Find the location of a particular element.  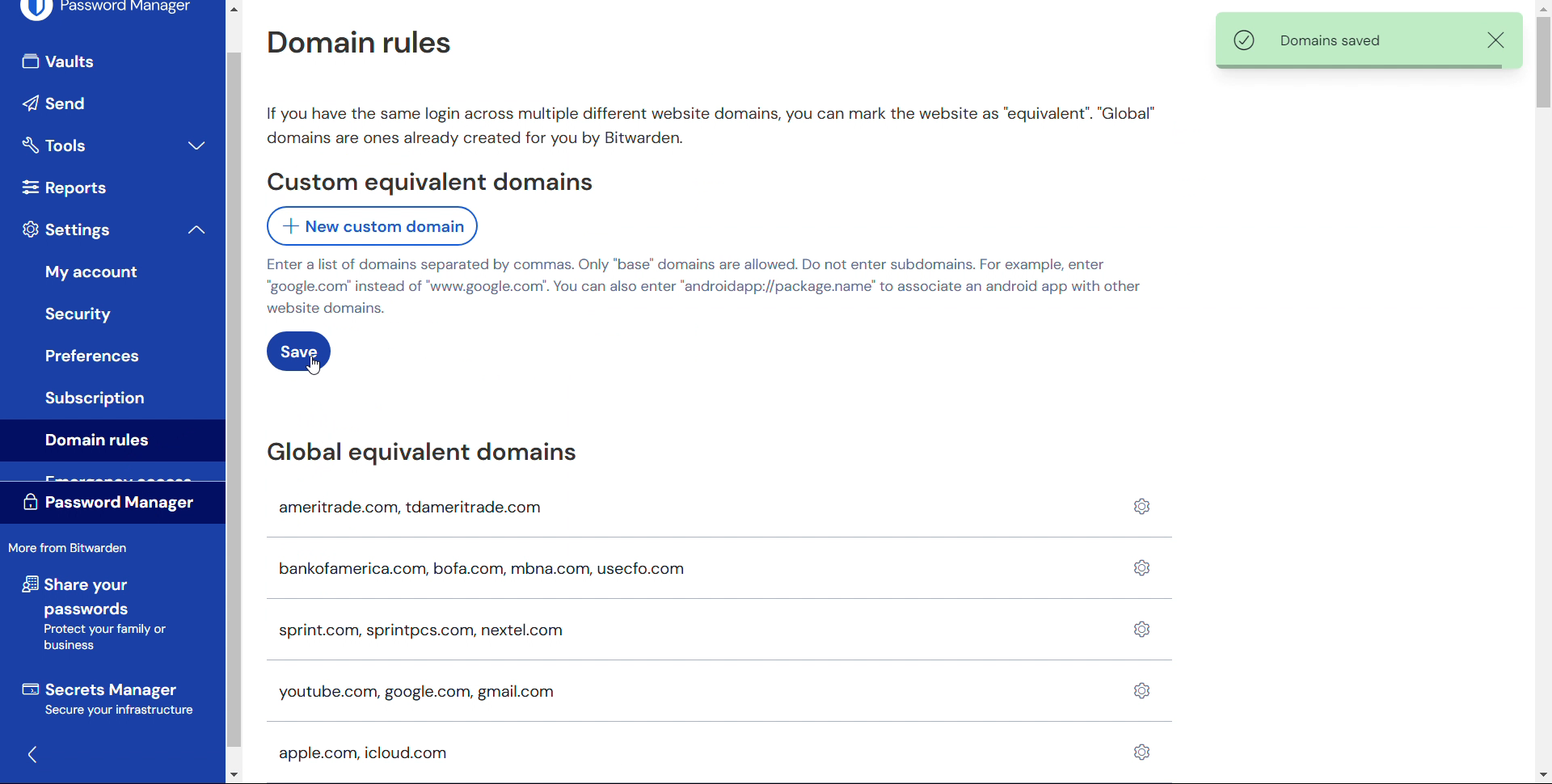

Scroll bar  is located at coordinates (234, 402).